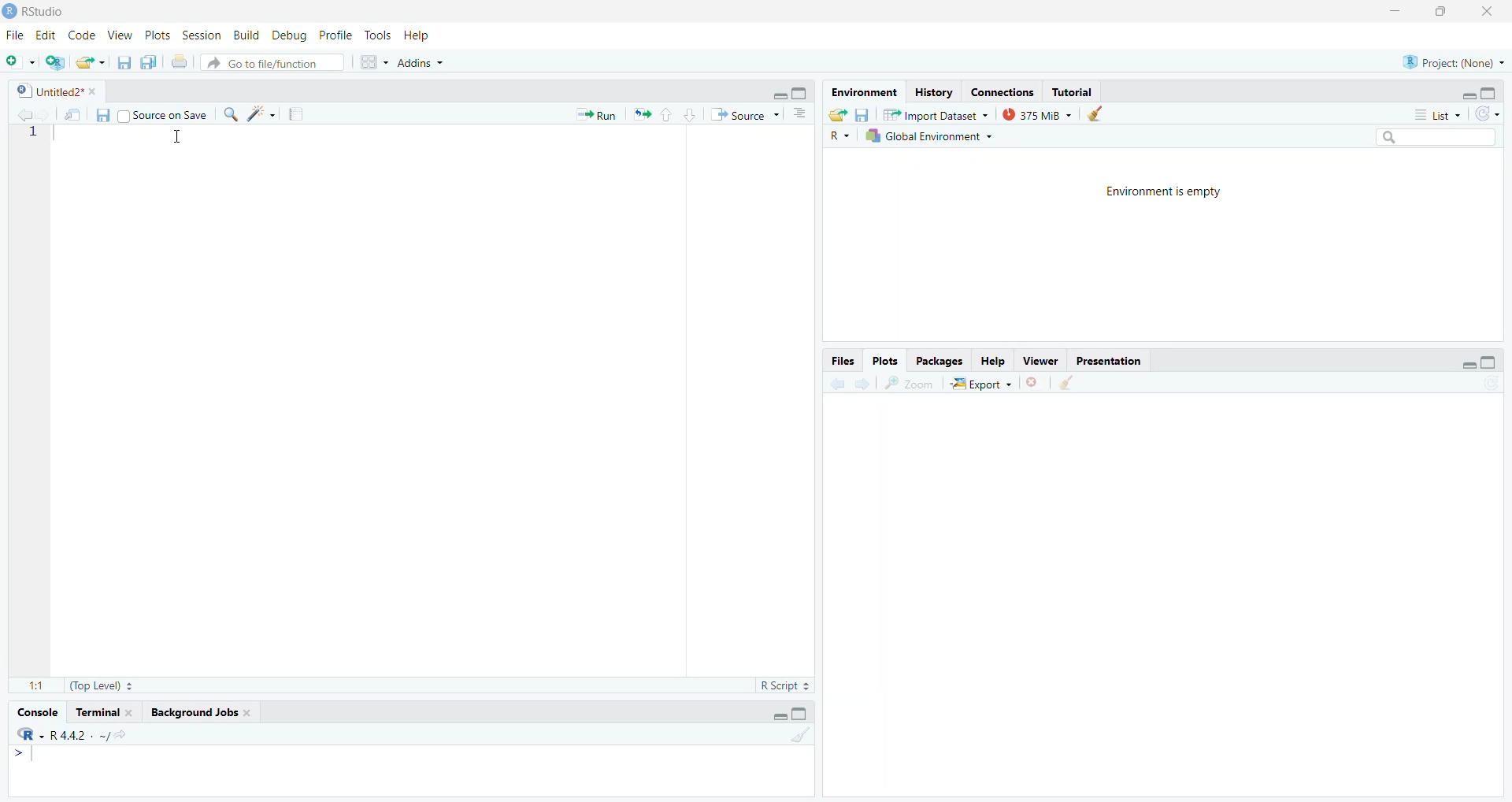  Describe the element at coordinates (54, 64) in the screenshot. I see `create new project` at that location.